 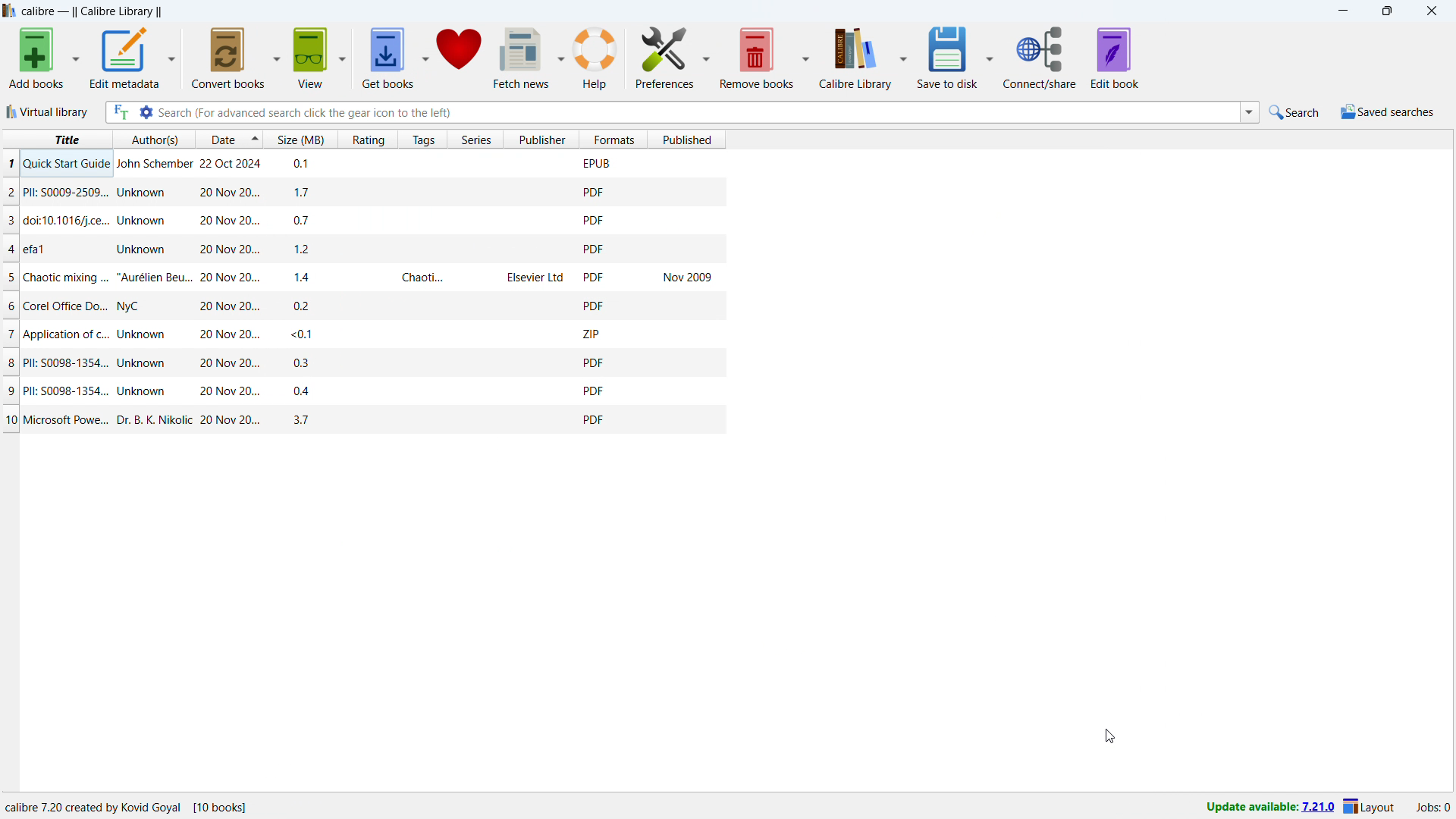 I want to click on update, so click(x=1268, y=808).